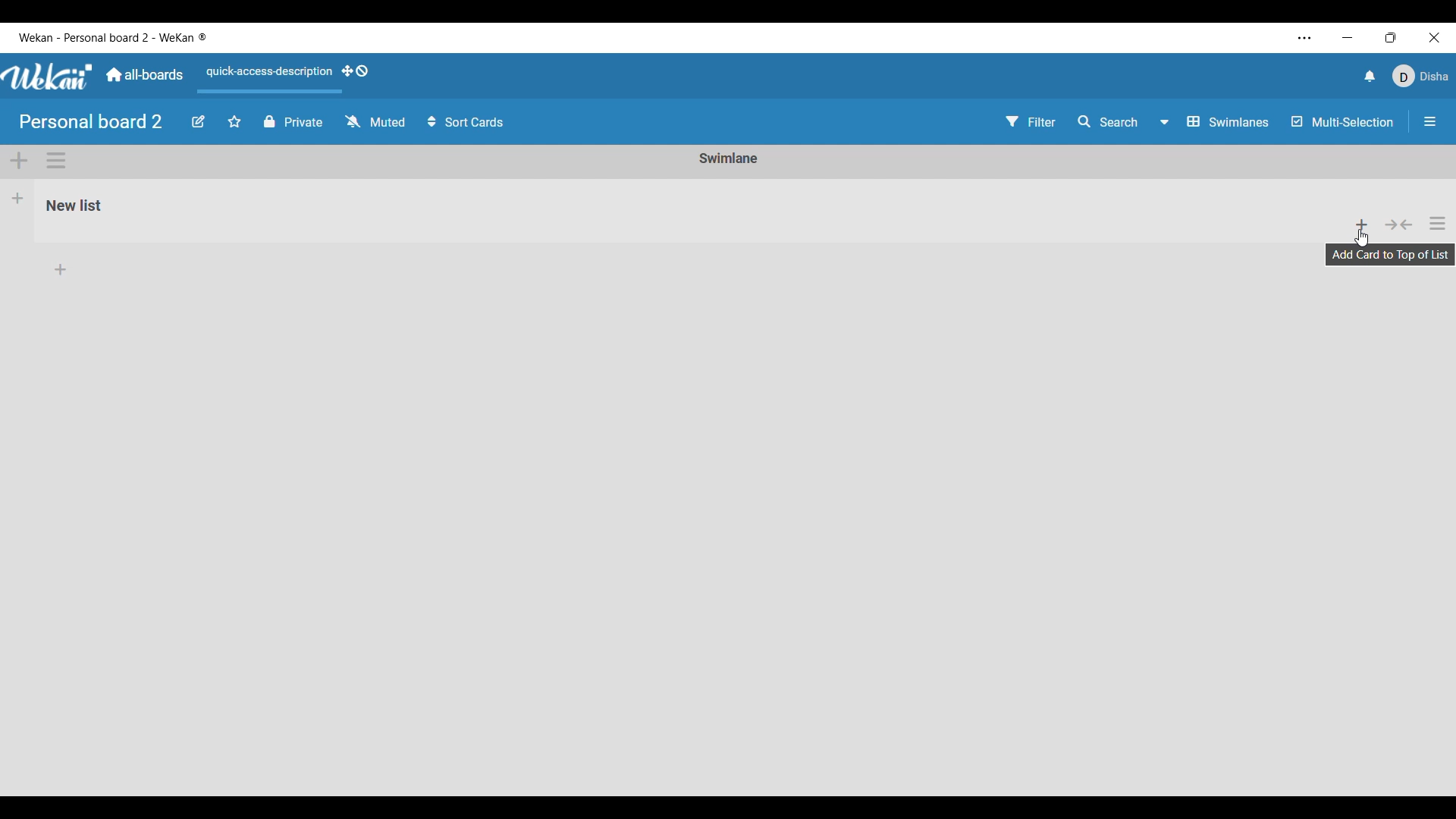 This screenshot has height=819, width=1456. I want to click on Go to main dashboard, so click(144, 75).